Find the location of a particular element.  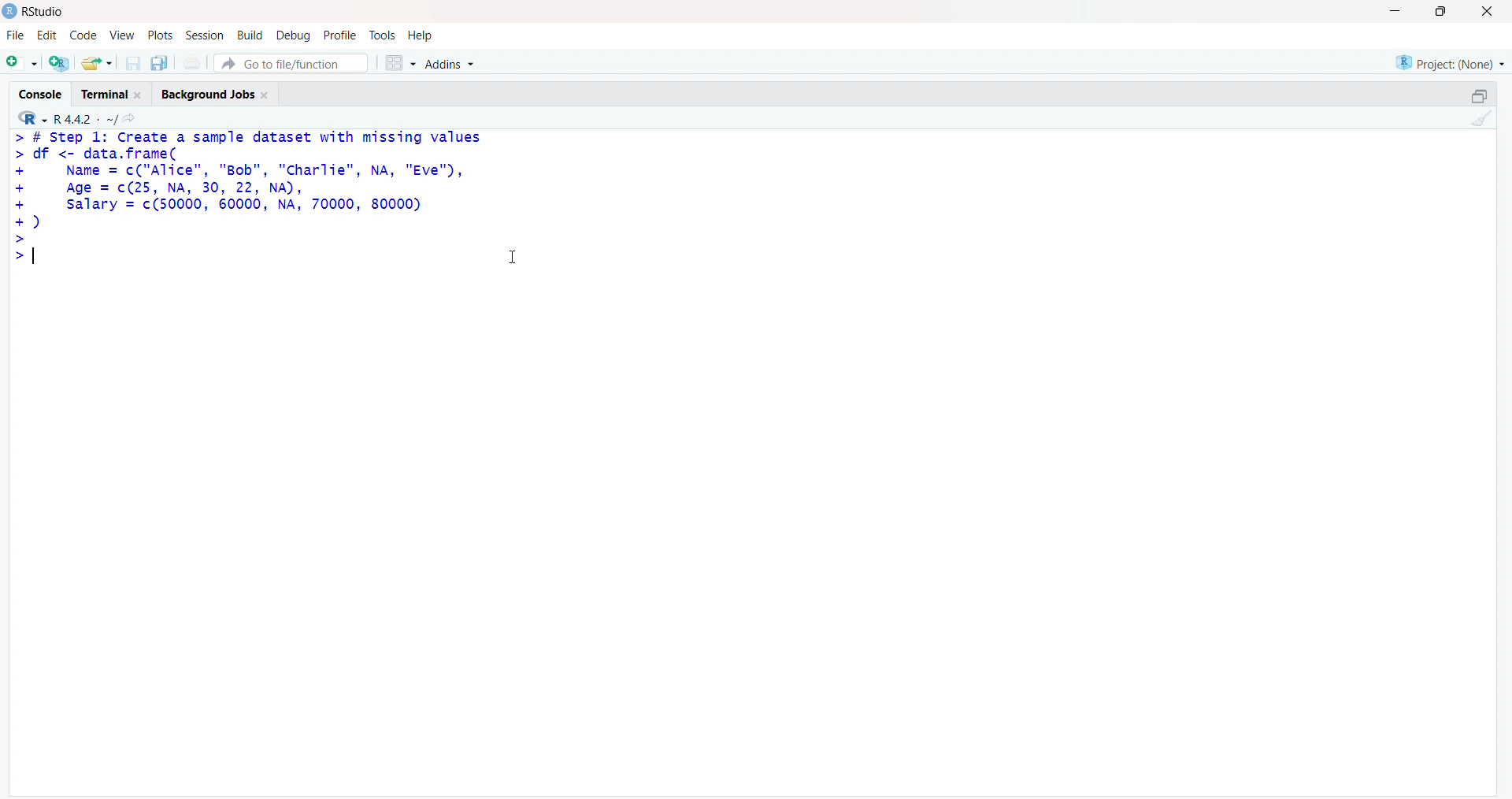

Session is located at coordinates (205, 36).